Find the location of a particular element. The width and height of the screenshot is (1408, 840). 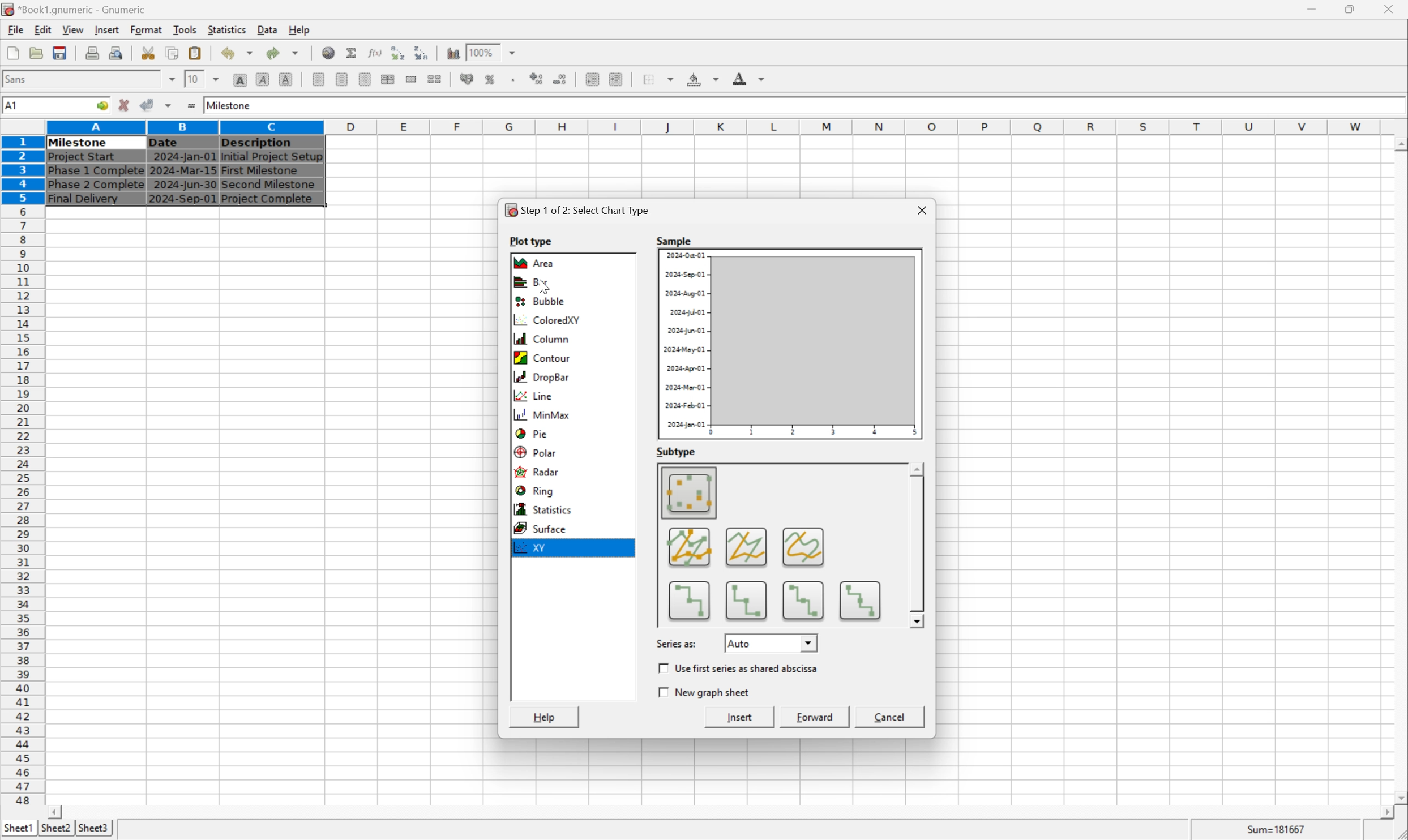

Table is located at coordinates (183, 170).